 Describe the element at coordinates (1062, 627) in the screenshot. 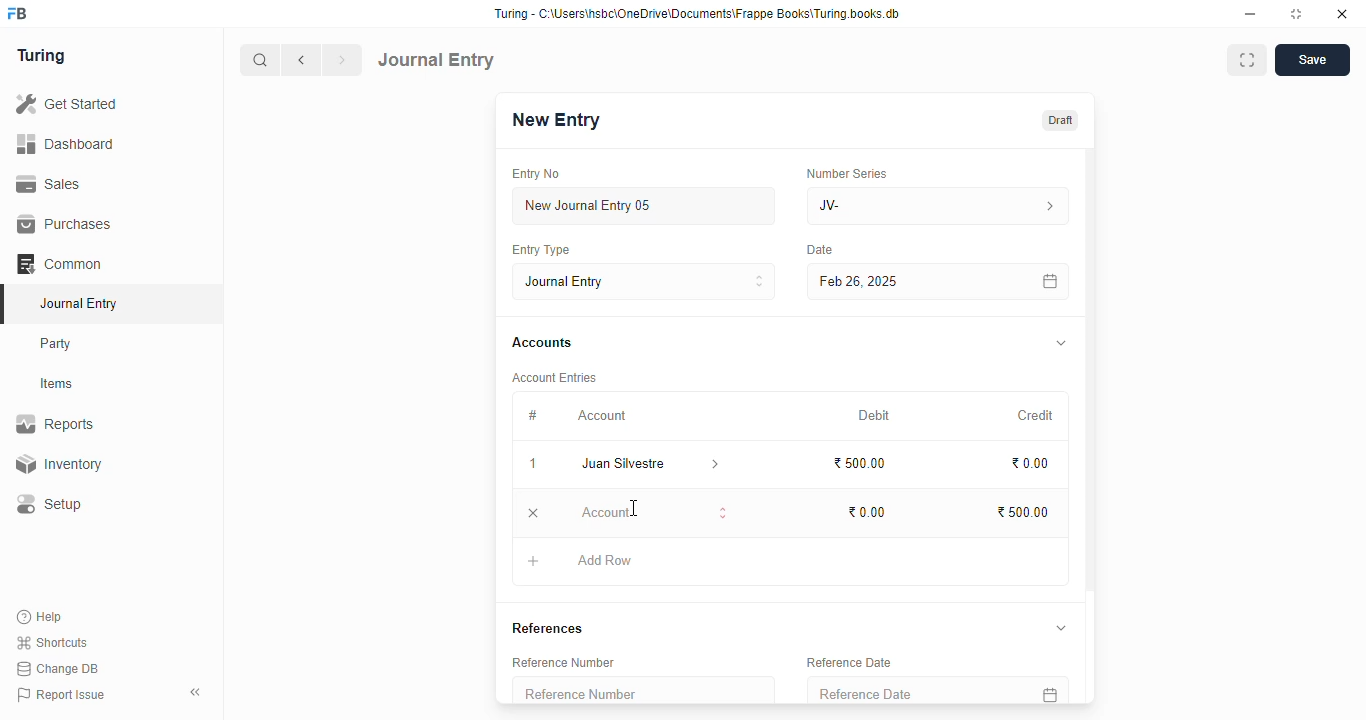

I see `toggle expand/collapse` at that location.